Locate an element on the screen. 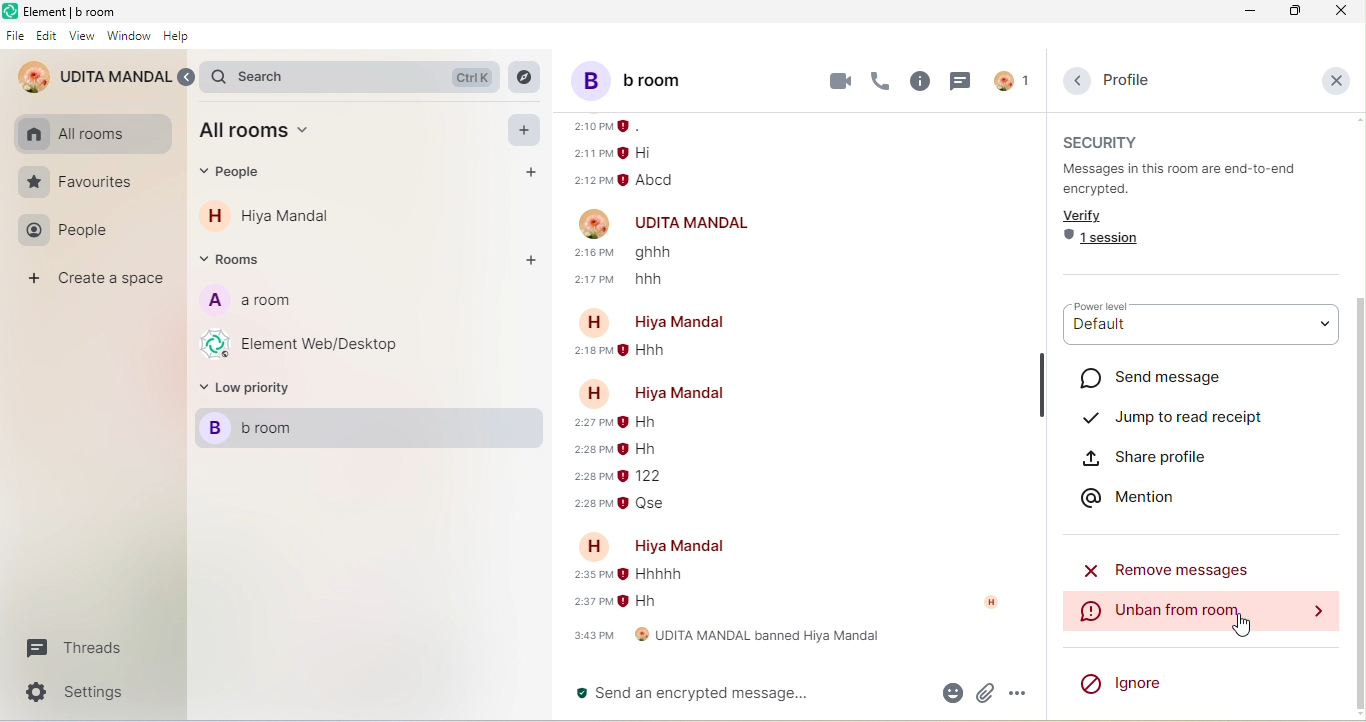 The height and width of the screenshot is (722, 1366). ignore is located at coordinates (1124, 680).